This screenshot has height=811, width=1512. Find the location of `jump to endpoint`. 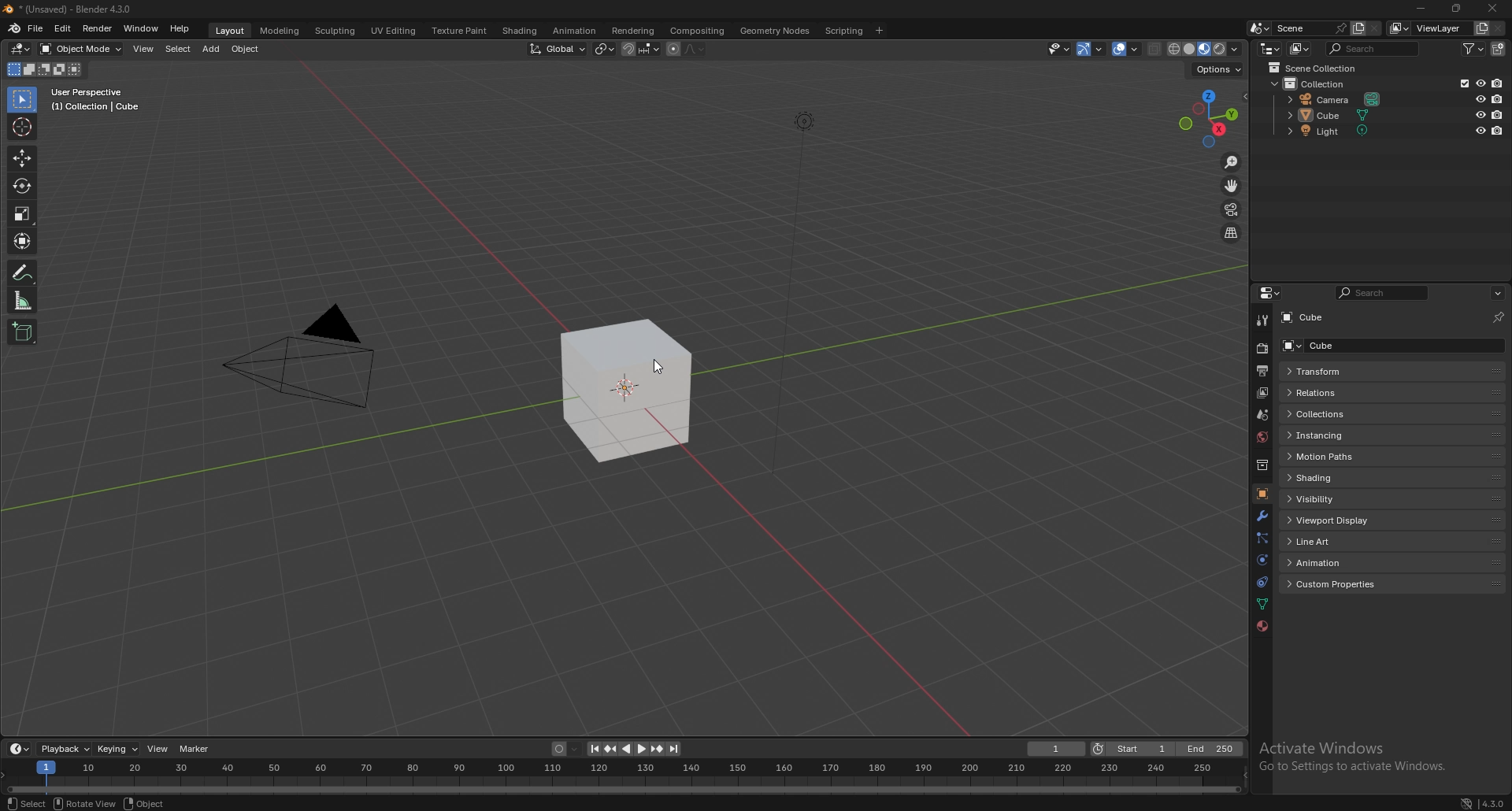

jump to endpoint is located at coordinates (593, 749).